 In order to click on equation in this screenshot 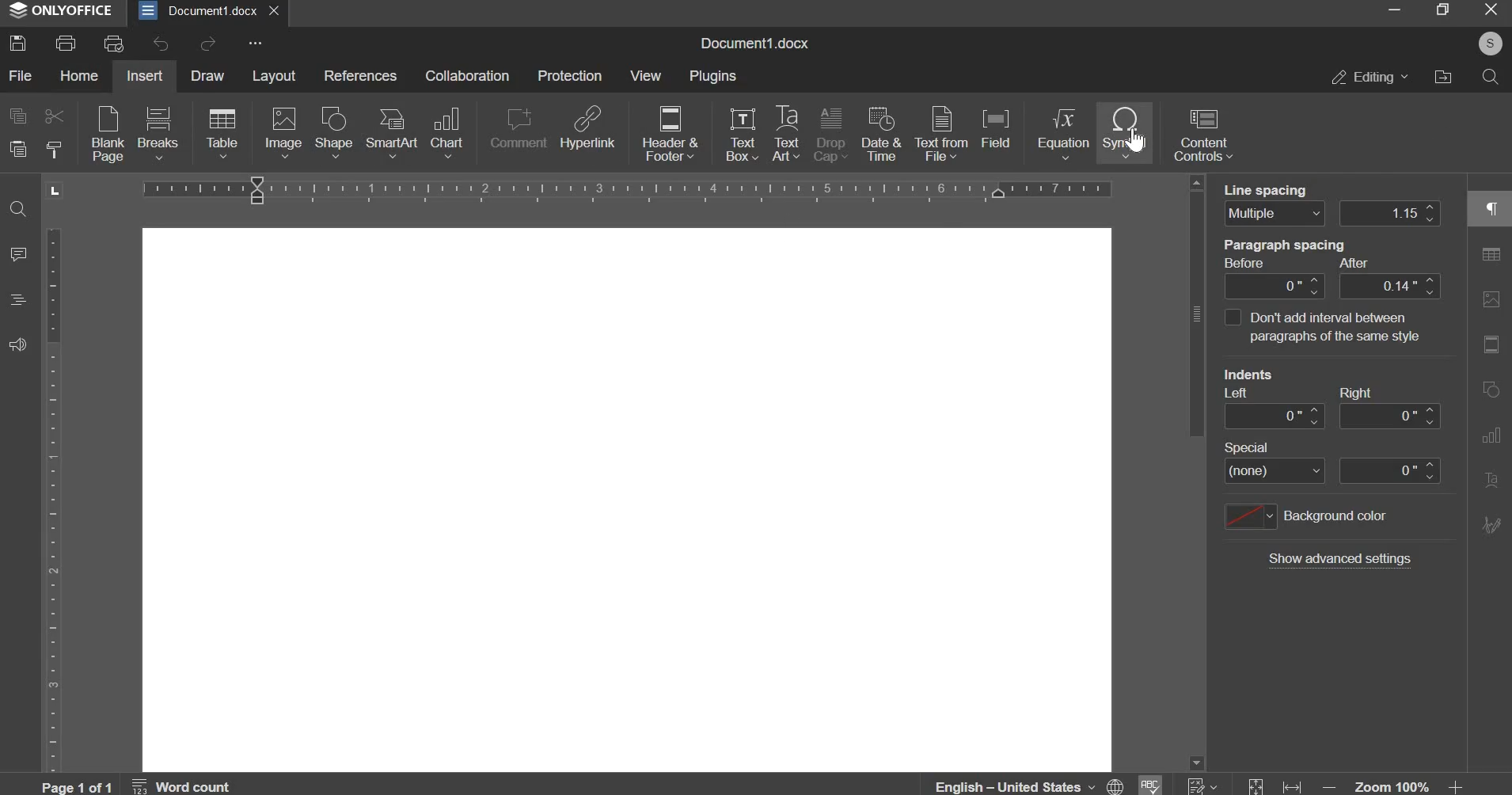, I will do `click(1062, 133)`.